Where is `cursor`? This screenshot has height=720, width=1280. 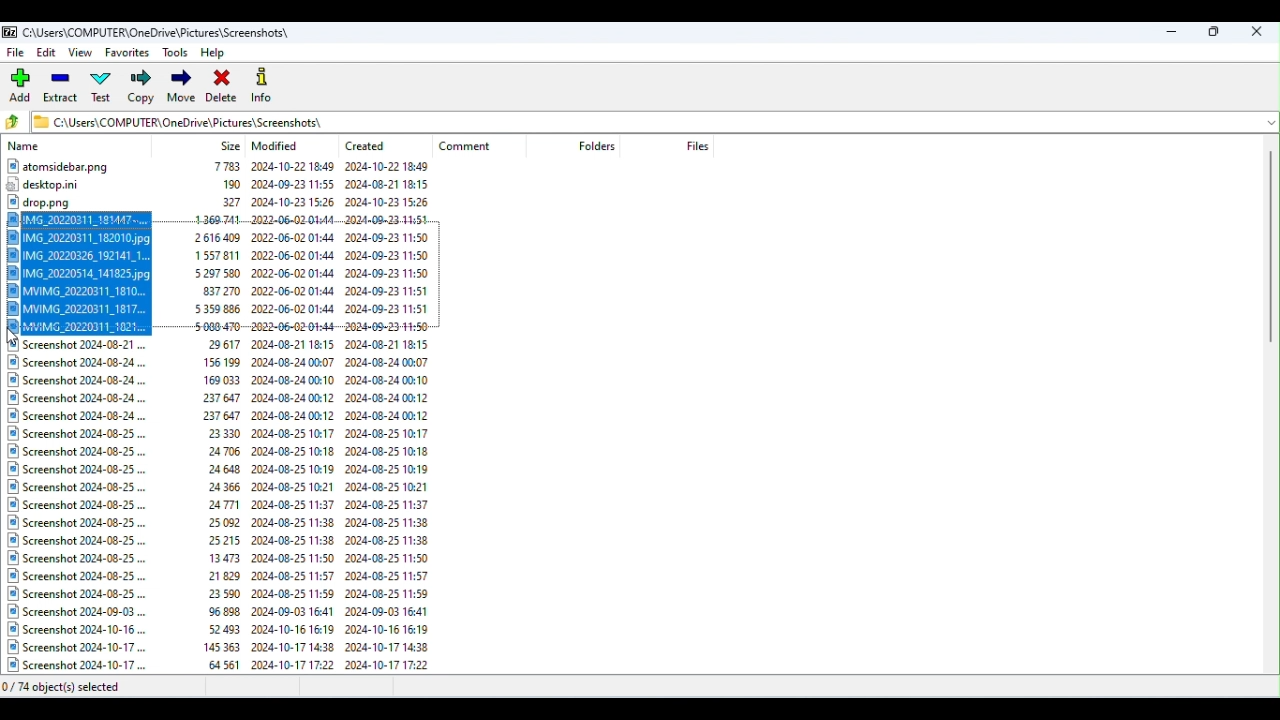 cursor is located at coordinates (17, 338).